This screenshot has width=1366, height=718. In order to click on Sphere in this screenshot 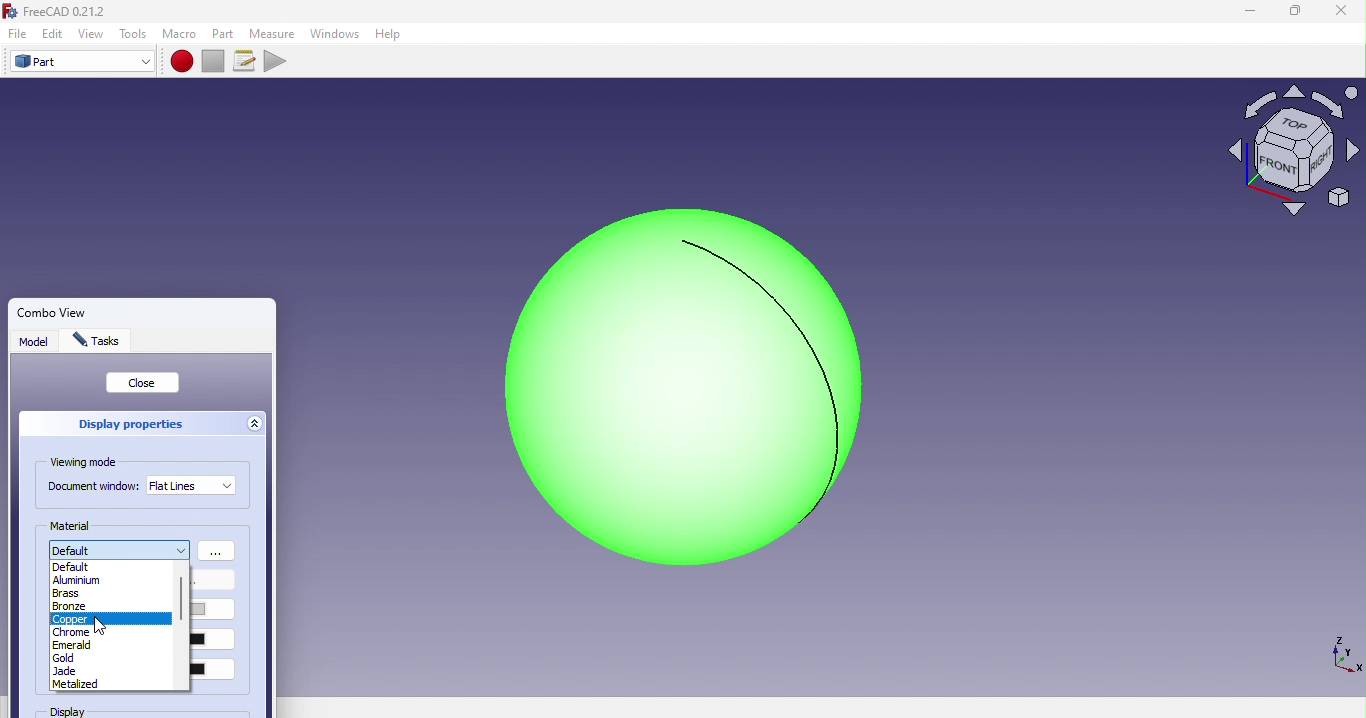, I will do `click(670, 387)`.